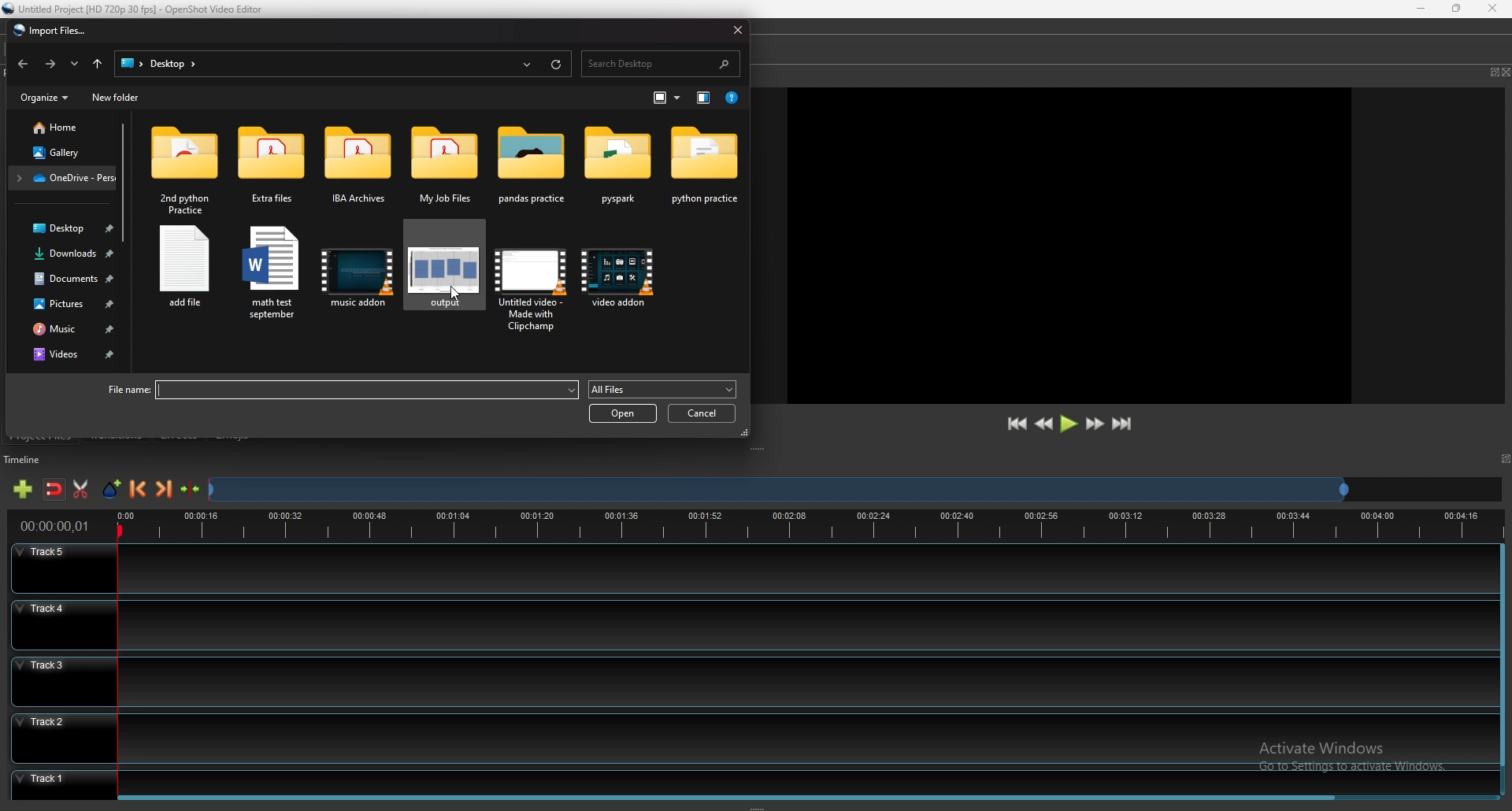  Describe the element at coordinates (661, 65) in the screenshot. I see `search desktop` at that location.